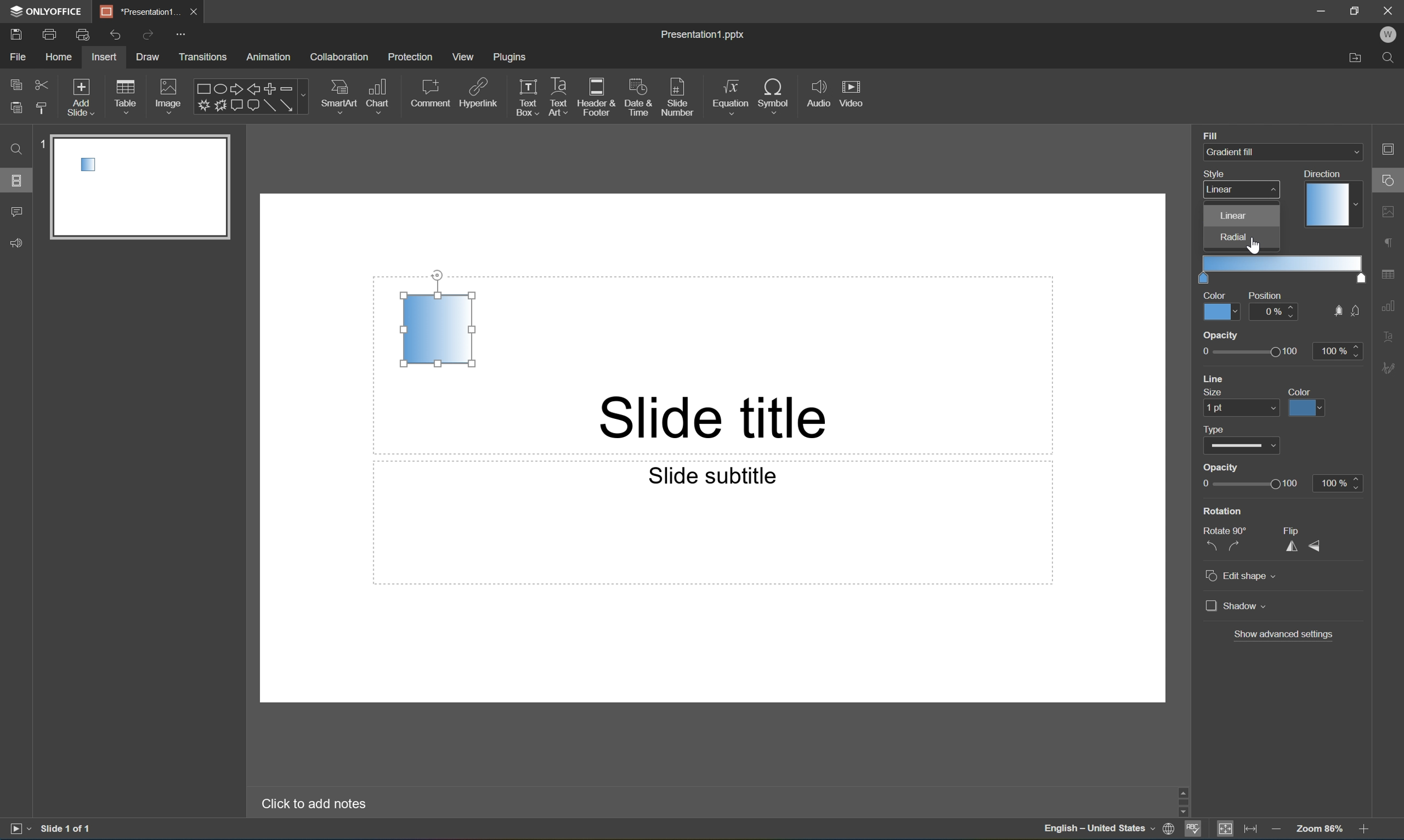  Describe the element at coordinates (203, 58) in the screenshot. I see `Transitions` at that location.